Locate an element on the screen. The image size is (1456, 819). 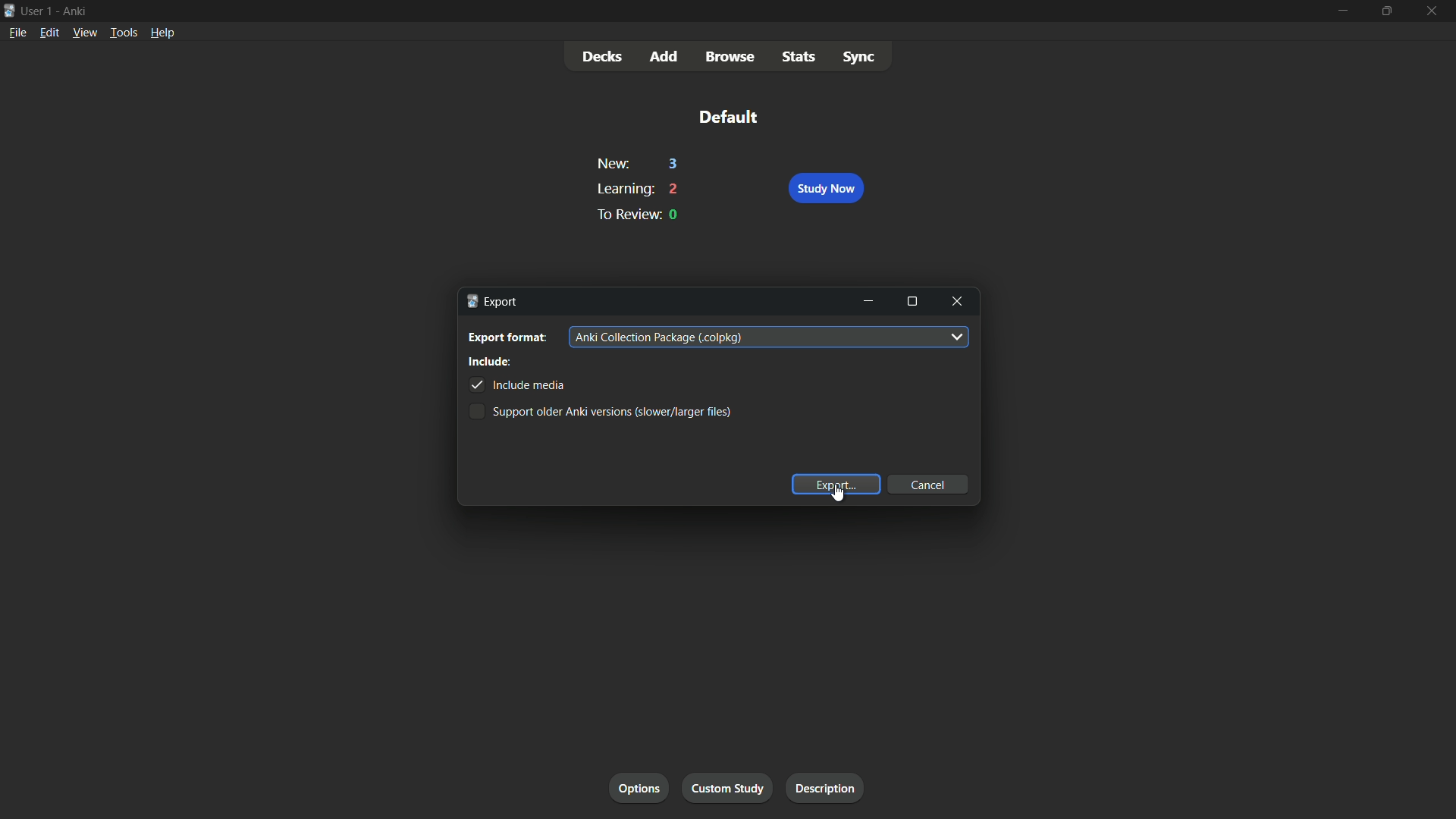
maximize is located at coordinates (912, 303).